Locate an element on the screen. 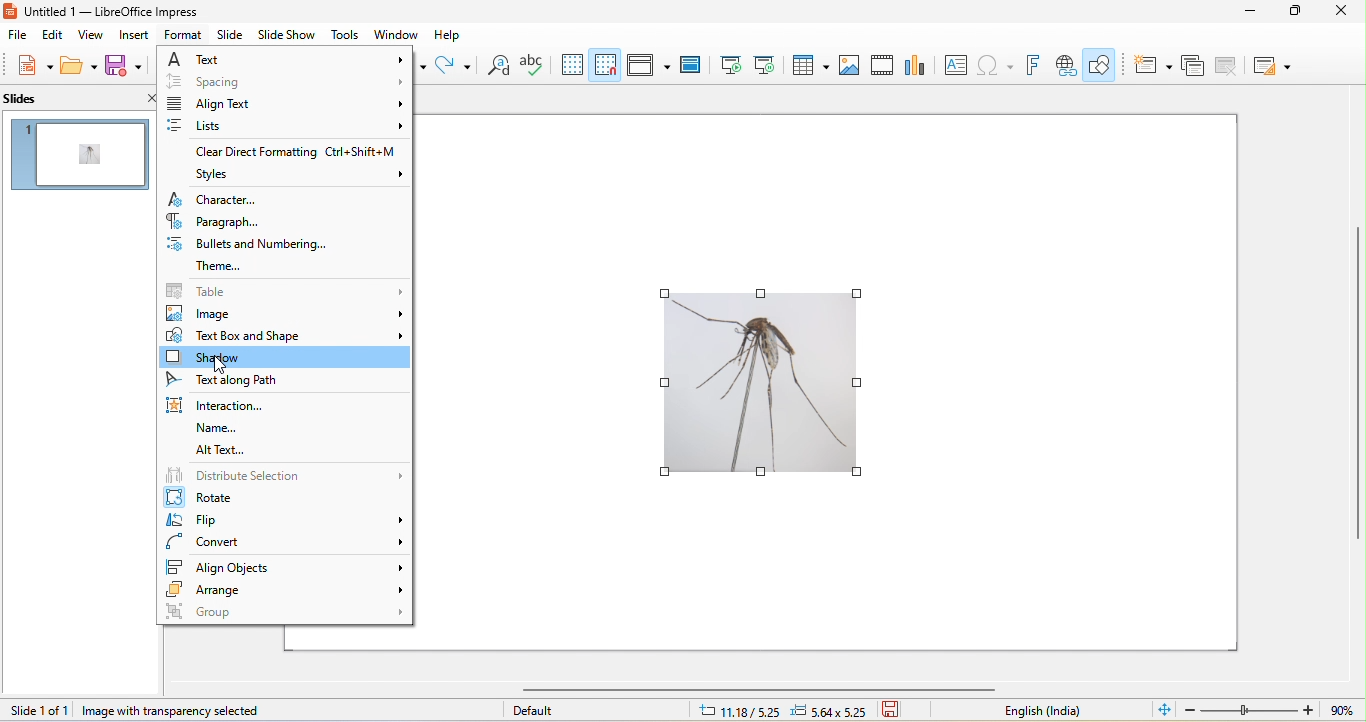 The image size is (1366, 722). paragraph is located at coordinates (226, 221).